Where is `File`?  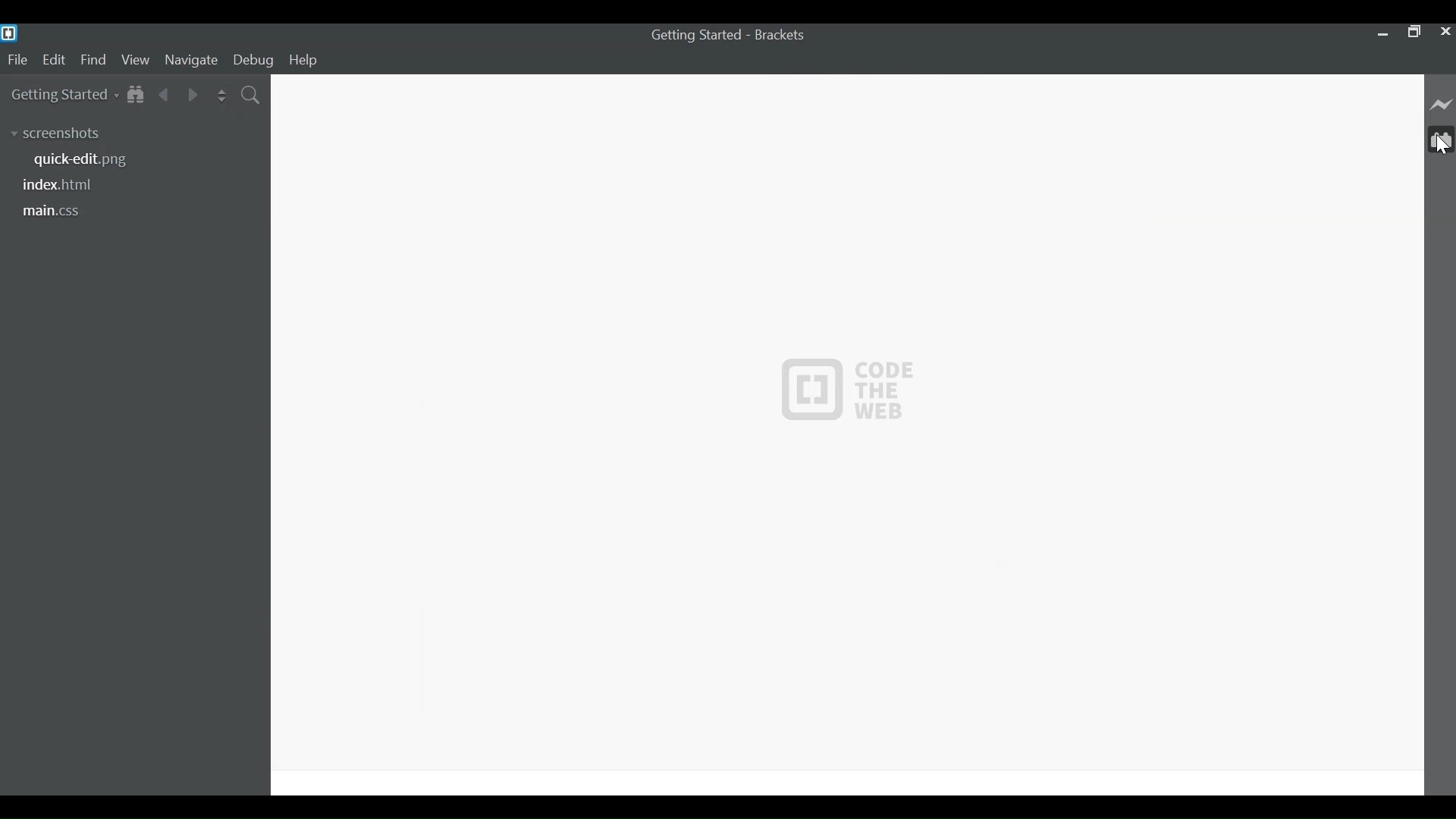
File is located at coordinates (18, 61).